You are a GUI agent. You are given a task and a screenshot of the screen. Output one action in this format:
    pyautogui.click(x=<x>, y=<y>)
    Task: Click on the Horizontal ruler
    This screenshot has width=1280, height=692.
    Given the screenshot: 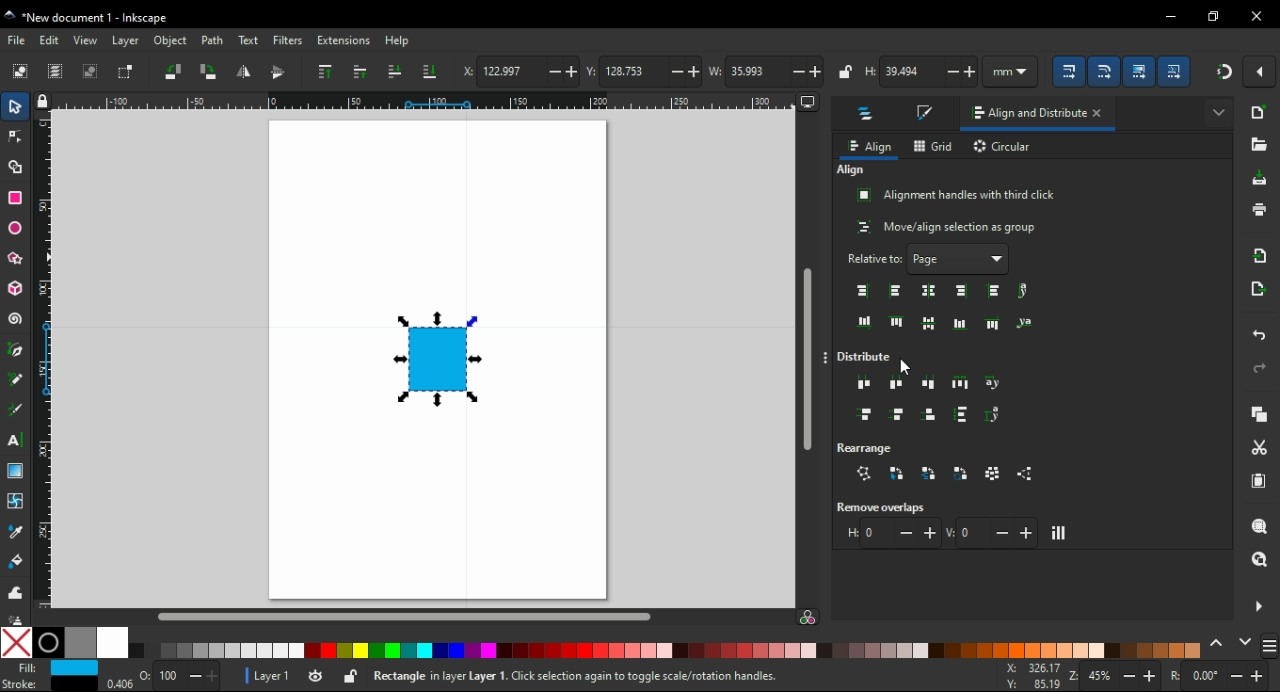 What is the action you would take?
    pyautogui.click(x=415, y=101)
    